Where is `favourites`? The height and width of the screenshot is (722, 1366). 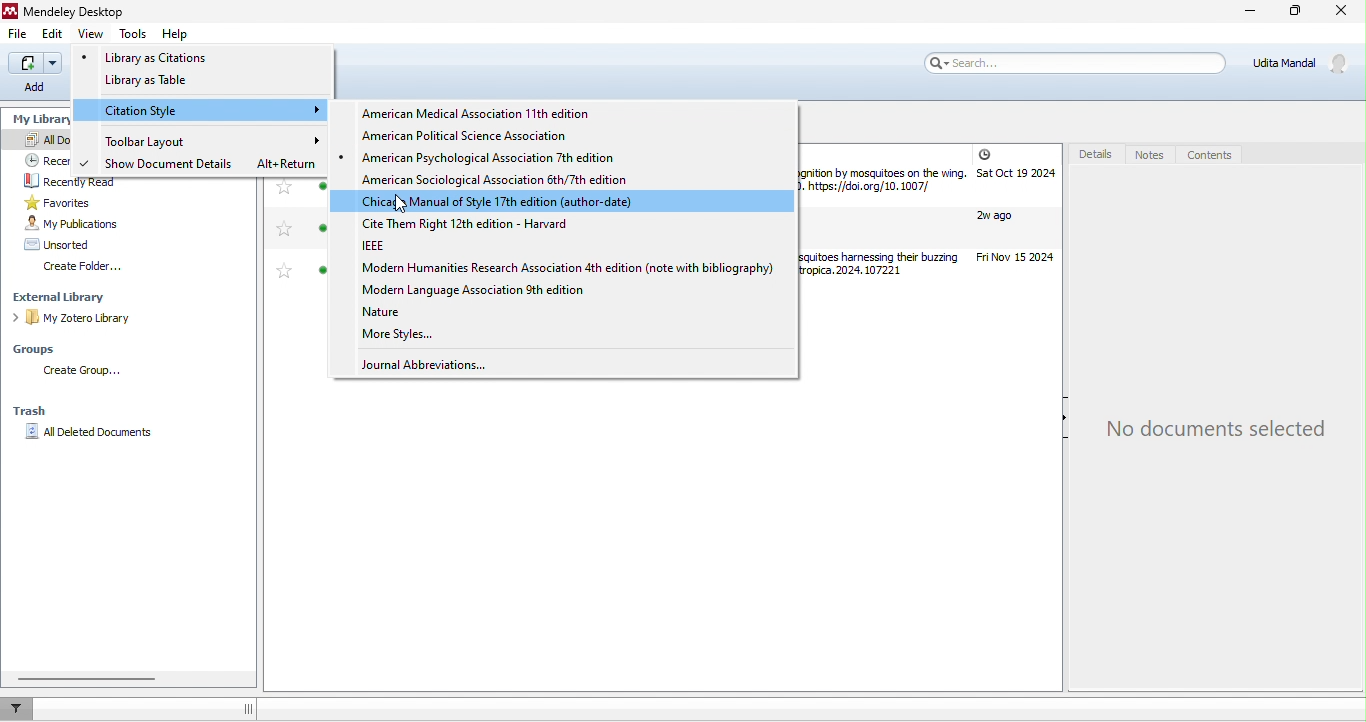 favourites is located at coordinates (280, 236).